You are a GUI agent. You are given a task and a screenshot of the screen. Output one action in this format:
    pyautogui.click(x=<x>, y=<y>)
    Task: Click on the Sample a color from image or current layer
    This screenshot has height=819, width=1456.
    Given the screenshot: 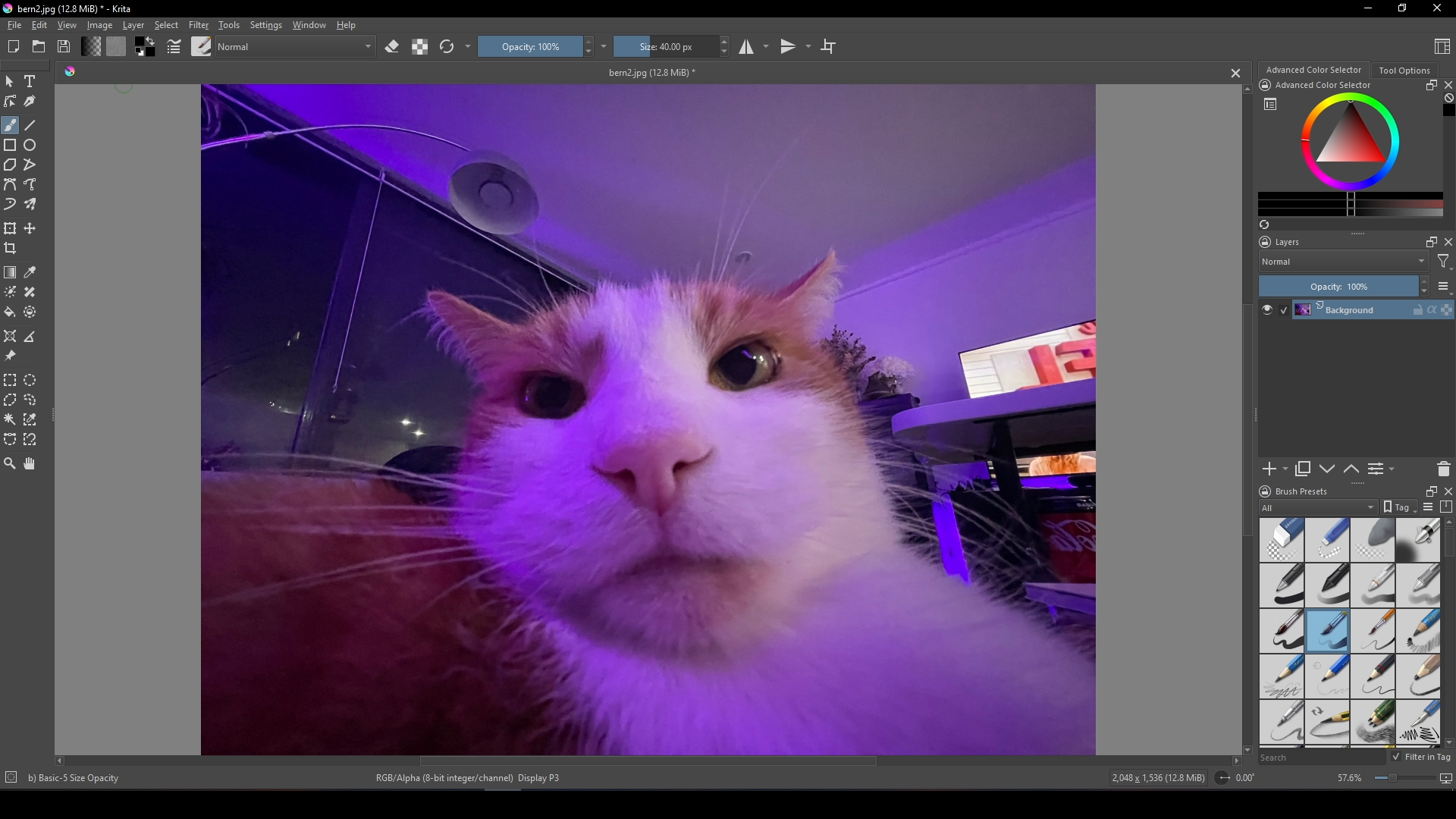 What is the action you would take?
    pyautogui.click(x=30, y=272)
    